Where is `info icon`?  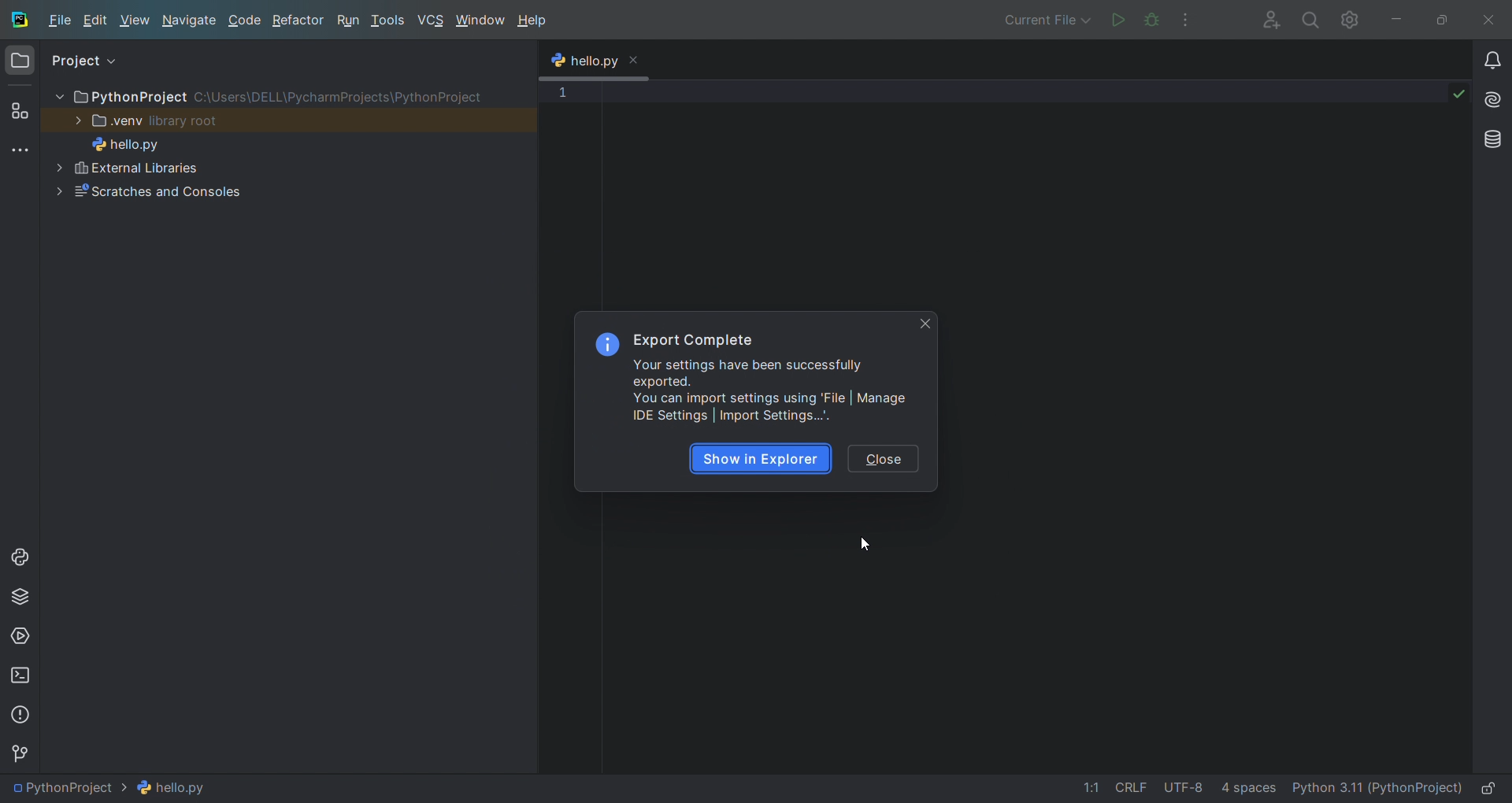 info icon is located at coordinates (606, 345).